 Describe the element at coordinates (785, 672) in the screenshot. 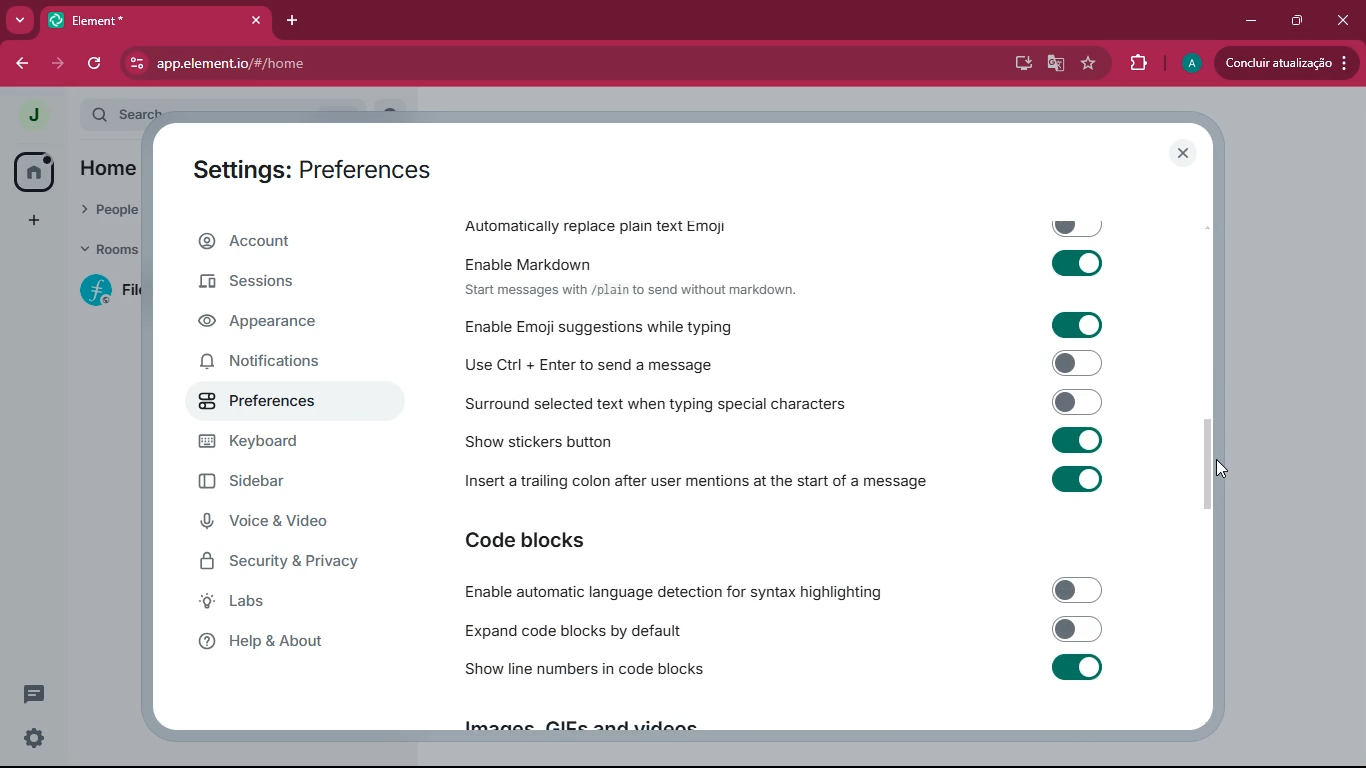

I see `Show line numbers in code blocks` at that location.